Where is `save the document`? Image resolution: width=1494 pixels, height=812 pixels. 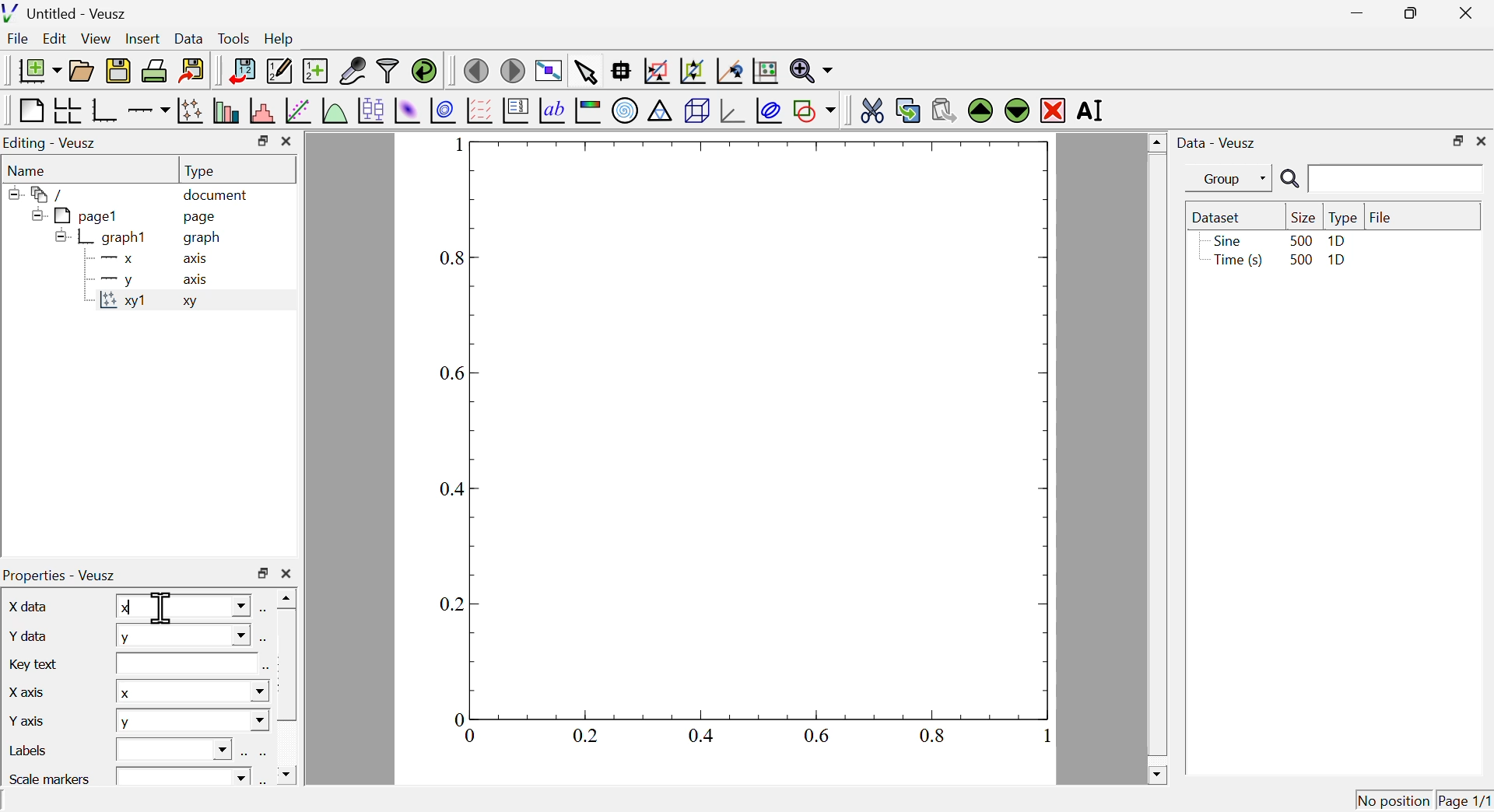 save the document is located at coordinates (118, 72).